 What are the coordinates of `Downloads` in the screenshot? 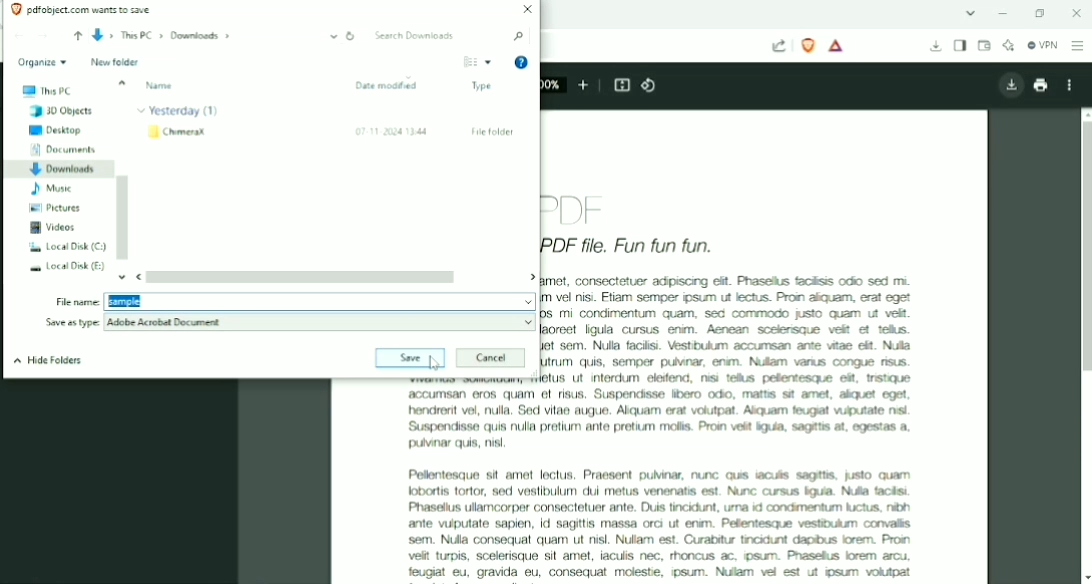 It's located at (936, 47).